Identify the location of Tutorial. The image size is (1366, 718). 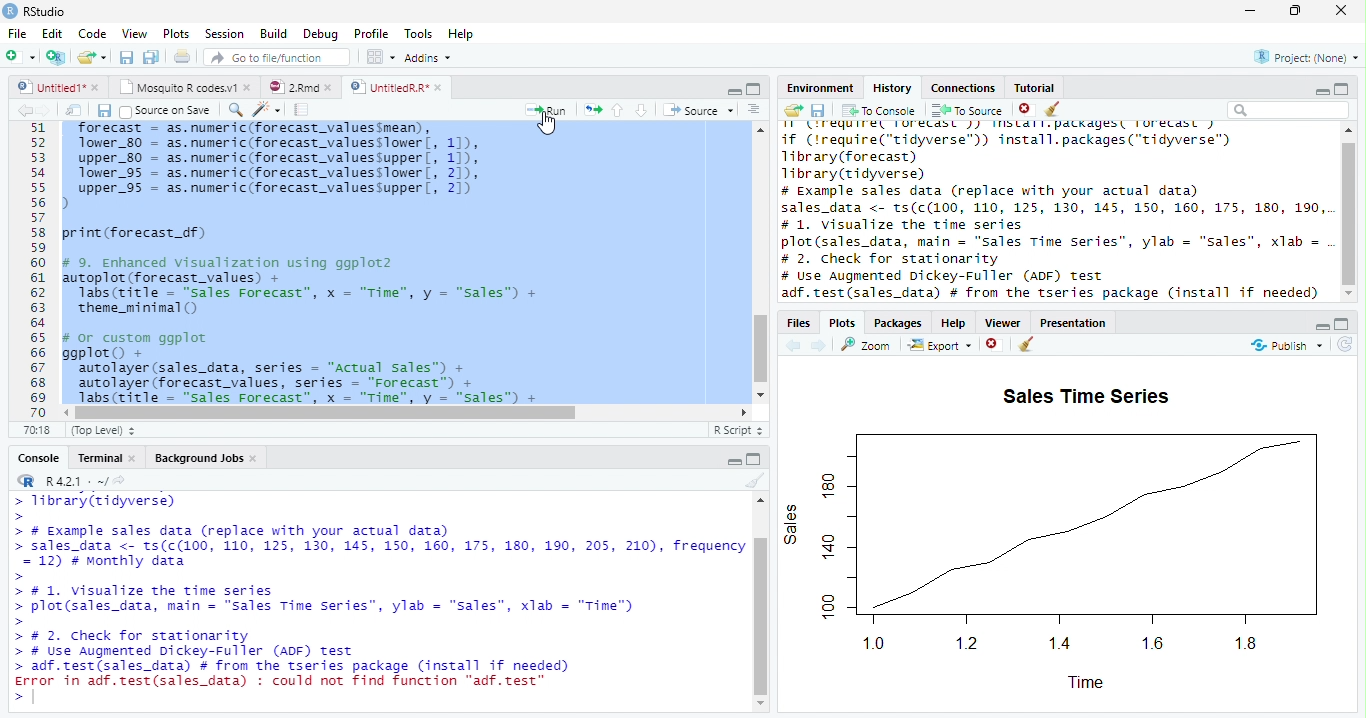
(1034, 88).